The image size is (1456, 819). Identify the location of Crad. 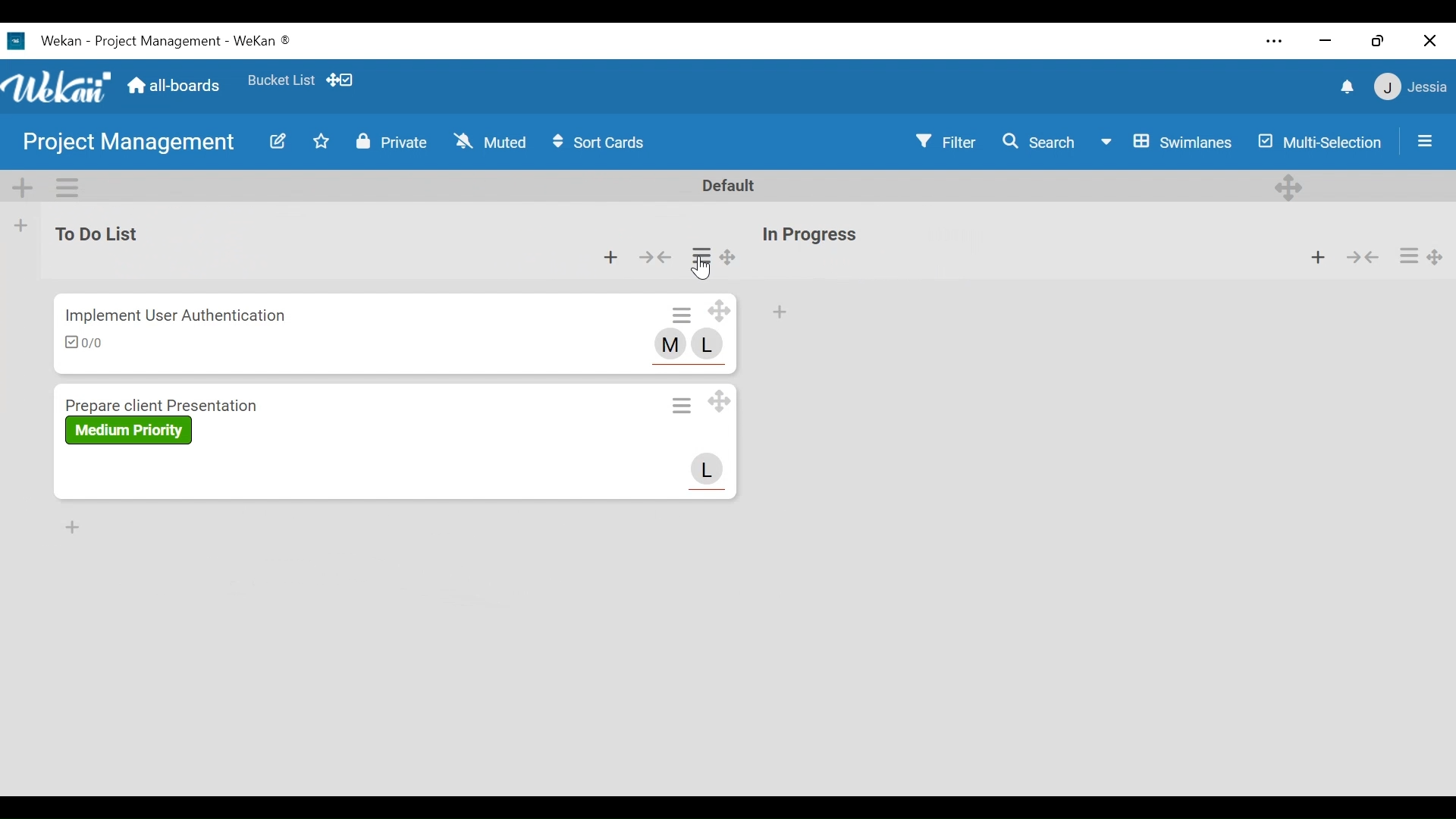
(259, 336).